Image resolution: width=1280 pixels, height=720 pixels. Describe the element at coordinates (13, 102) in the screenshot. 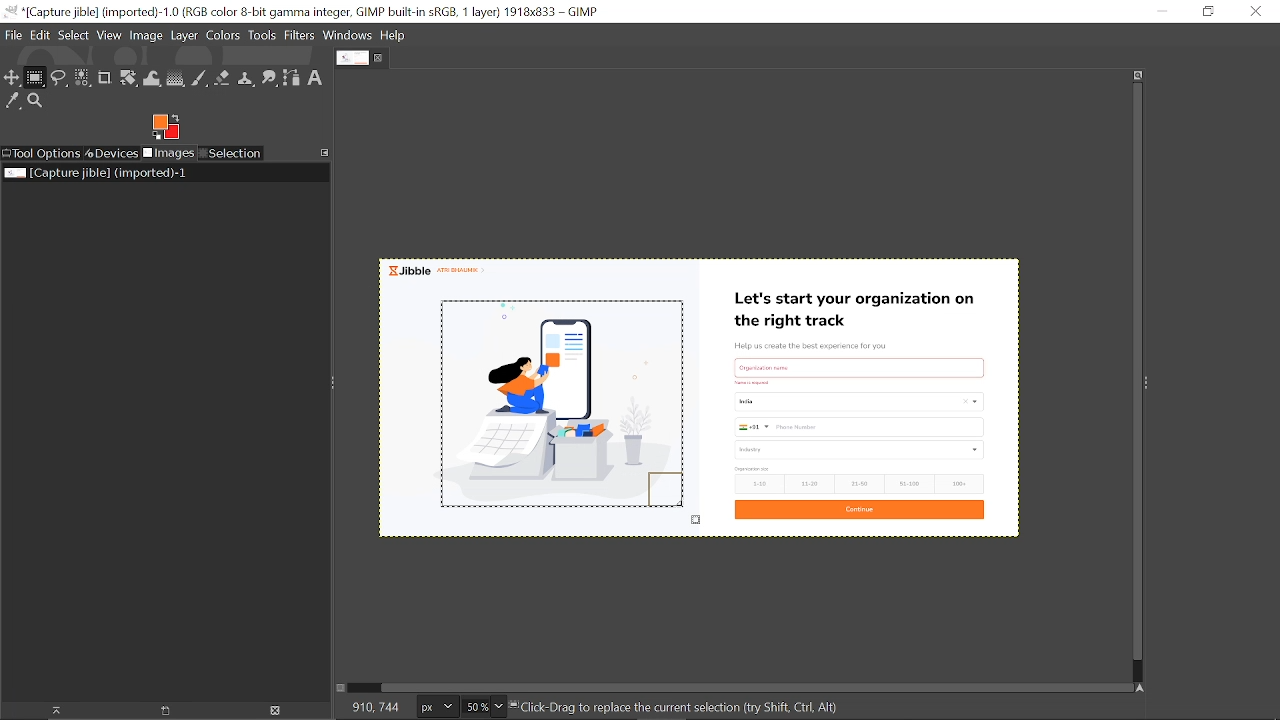

I see `Color picker tool` at that location.